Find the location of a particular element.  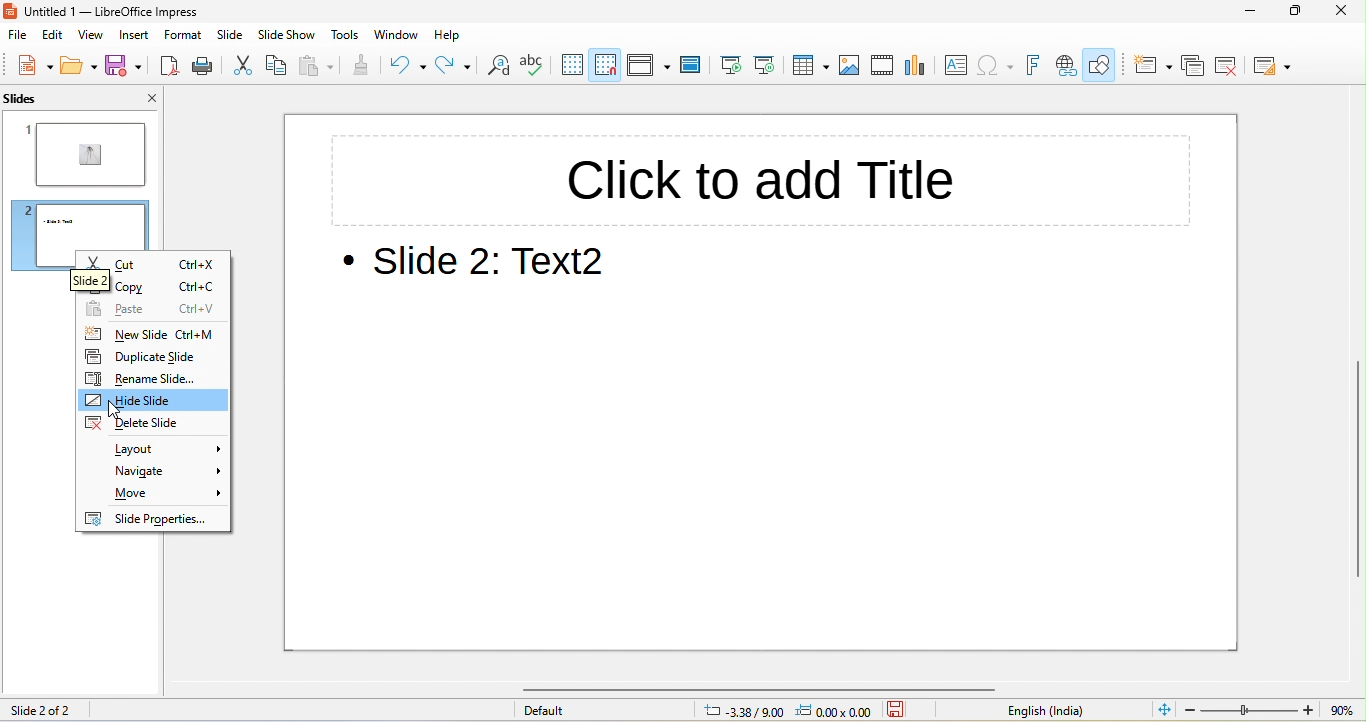

delete slide is located at coordinates (152, 422).